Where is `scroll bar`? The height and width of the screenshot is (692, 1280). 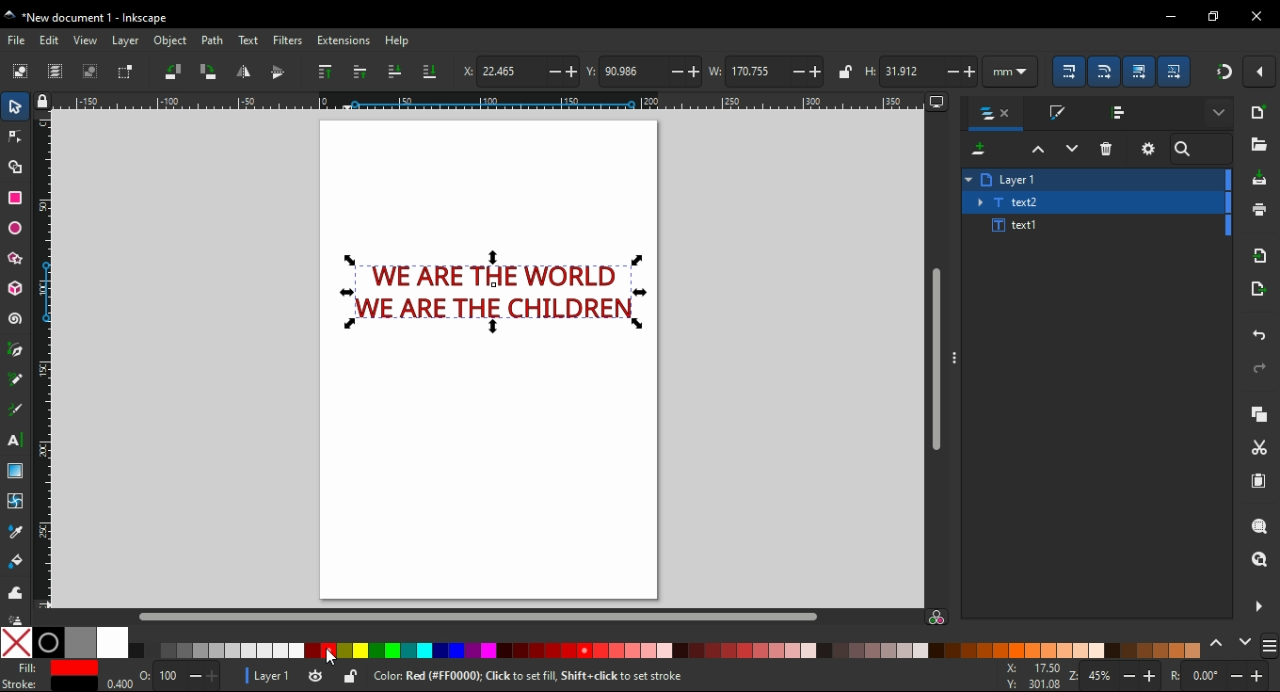 scroll bar is located at coordinates (476, 616).